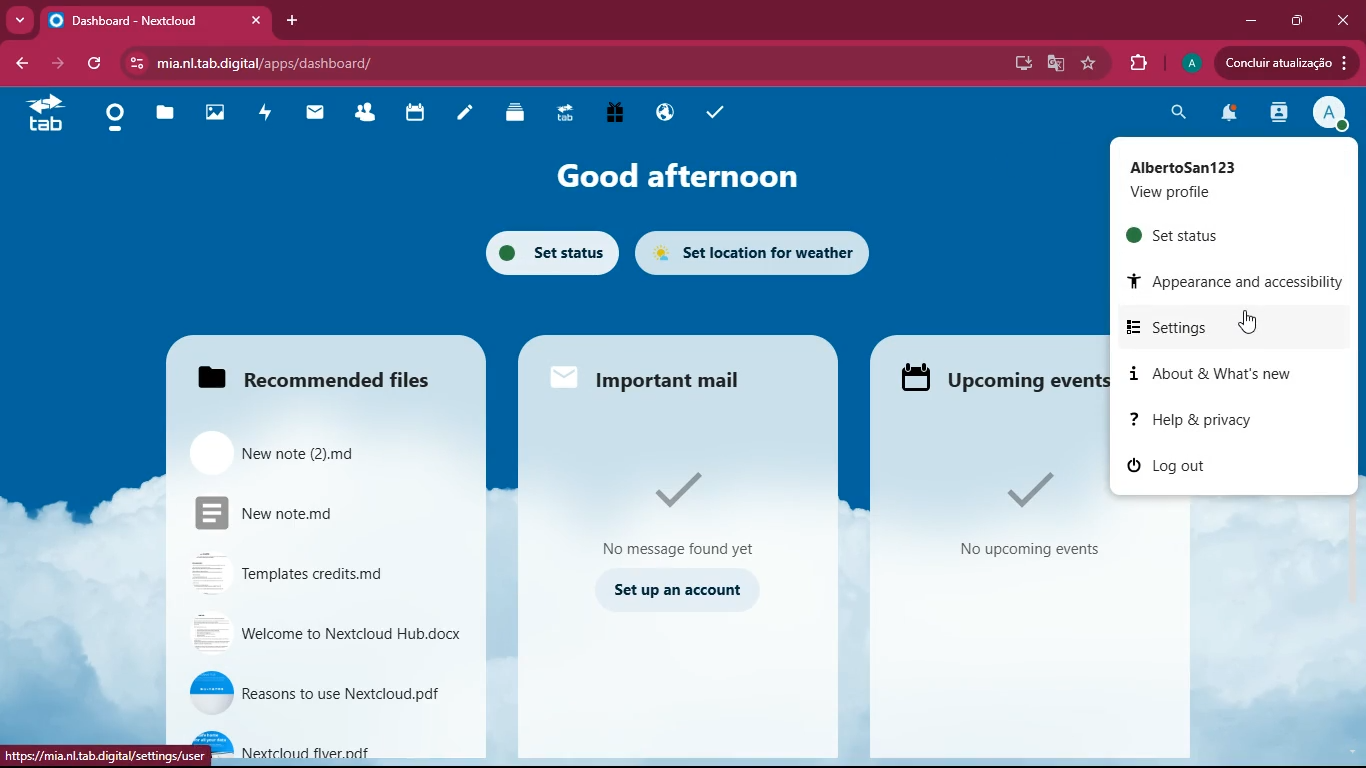 This screenshot has width=1366, height=768. I want to click on notifications, so click(1227, 115).